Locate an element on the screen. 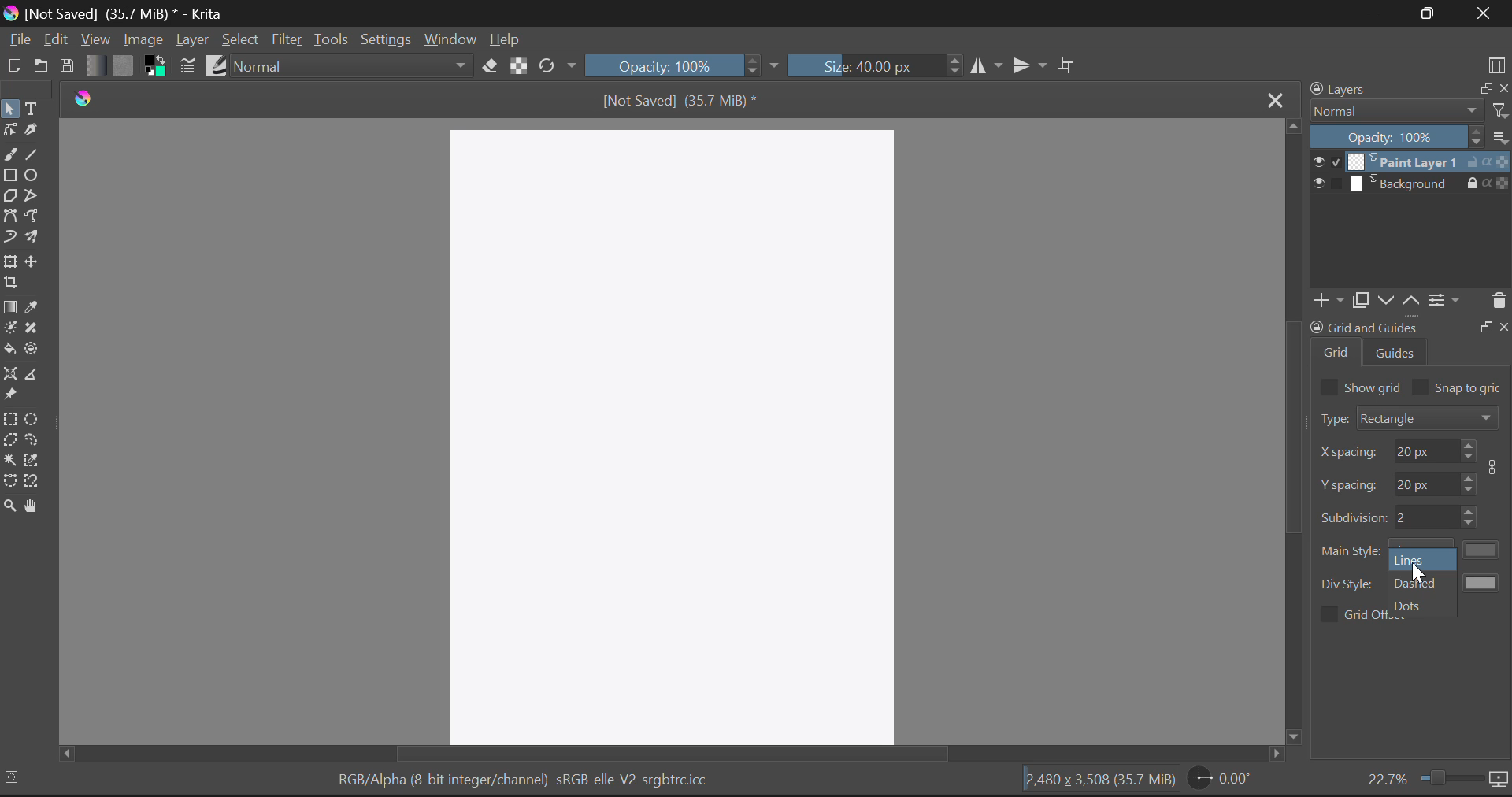  sub division is located at coordinates (1425, 517).